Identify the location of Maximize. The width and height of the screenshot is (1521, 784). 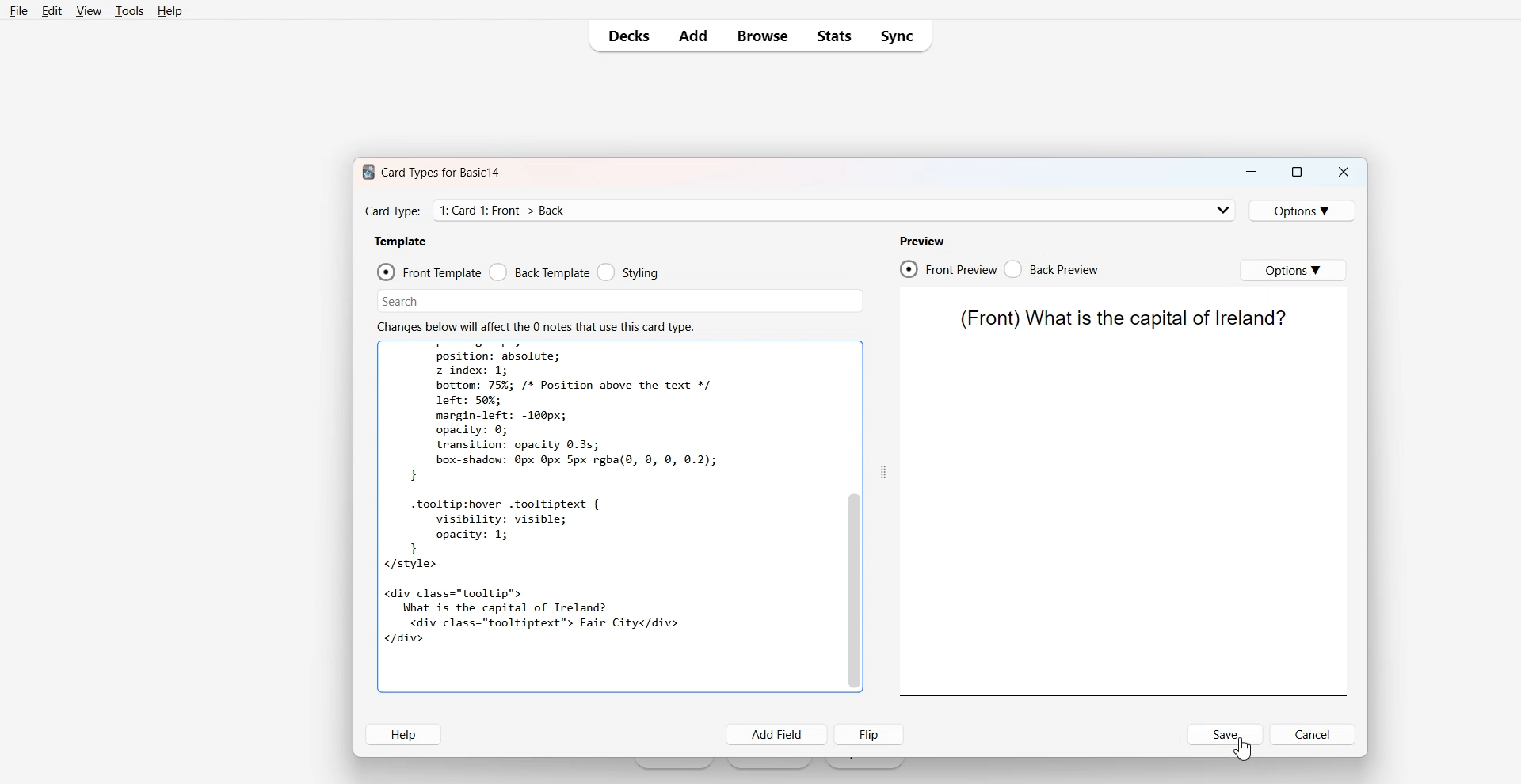
(1298, 172).